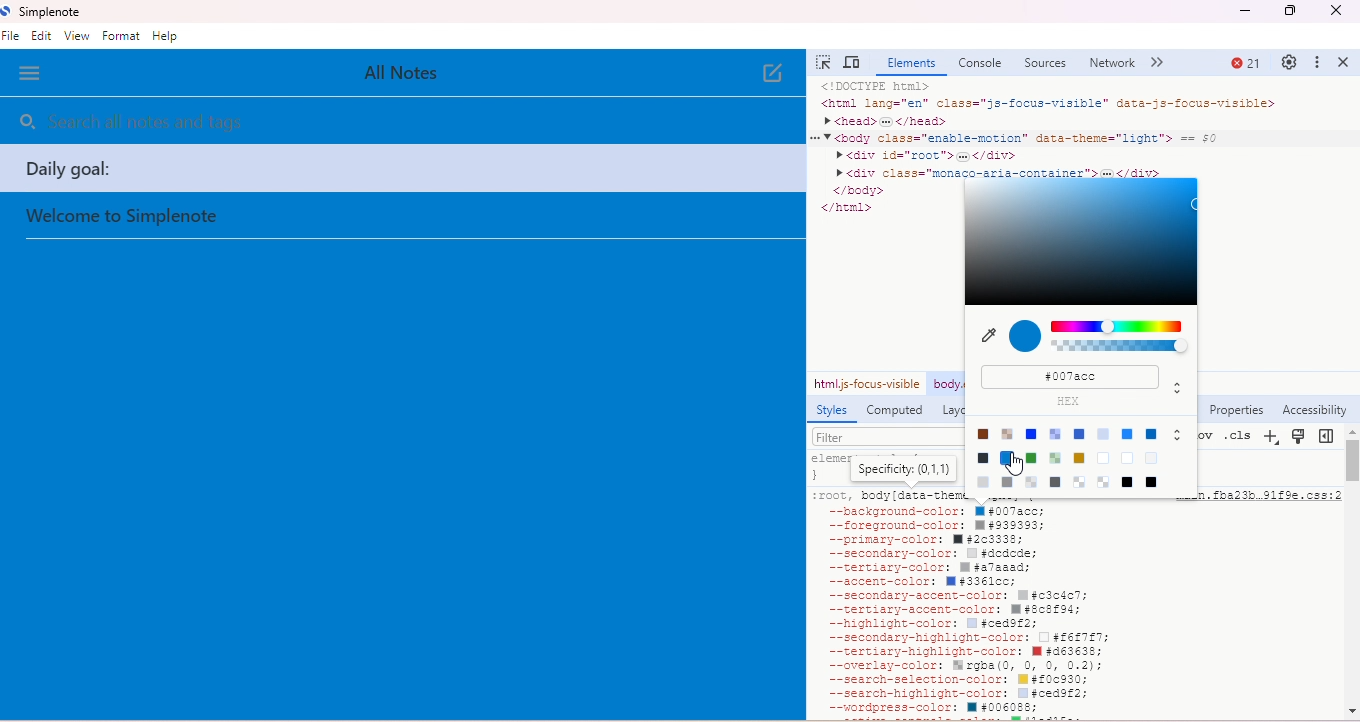 Image resolution: width=1360 pixels, height=722 pixels. Describe the element at coordinates (1337, 12) in the screenshot. I see `close` at that location.